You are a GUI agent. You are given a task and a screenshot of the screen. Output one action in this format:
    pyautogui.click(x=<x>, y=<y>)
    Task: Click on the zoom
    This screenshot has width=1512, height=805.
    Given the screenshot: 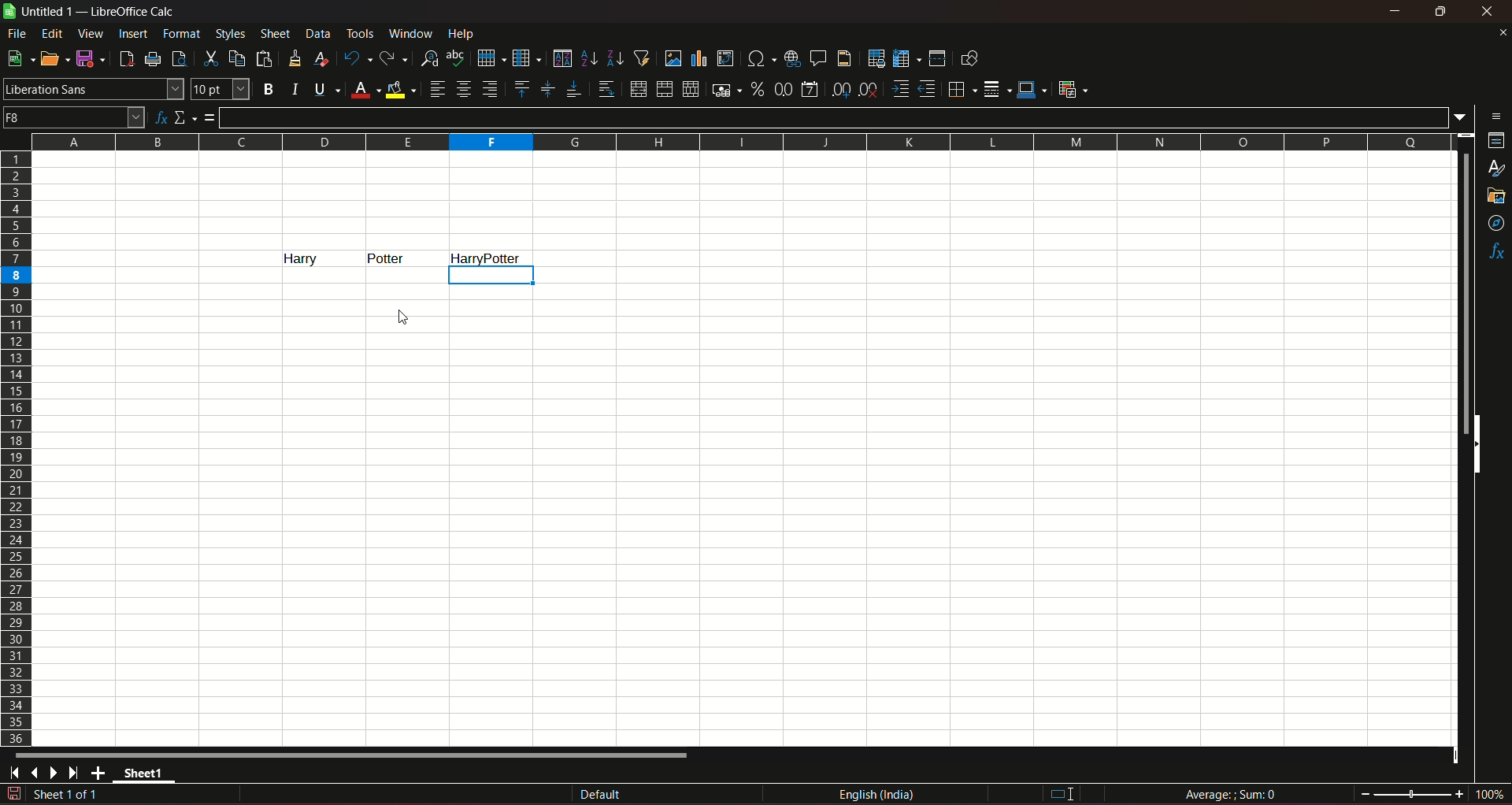 What is the action you would take?
    pyautogui.click(x=1432, y=792)
    